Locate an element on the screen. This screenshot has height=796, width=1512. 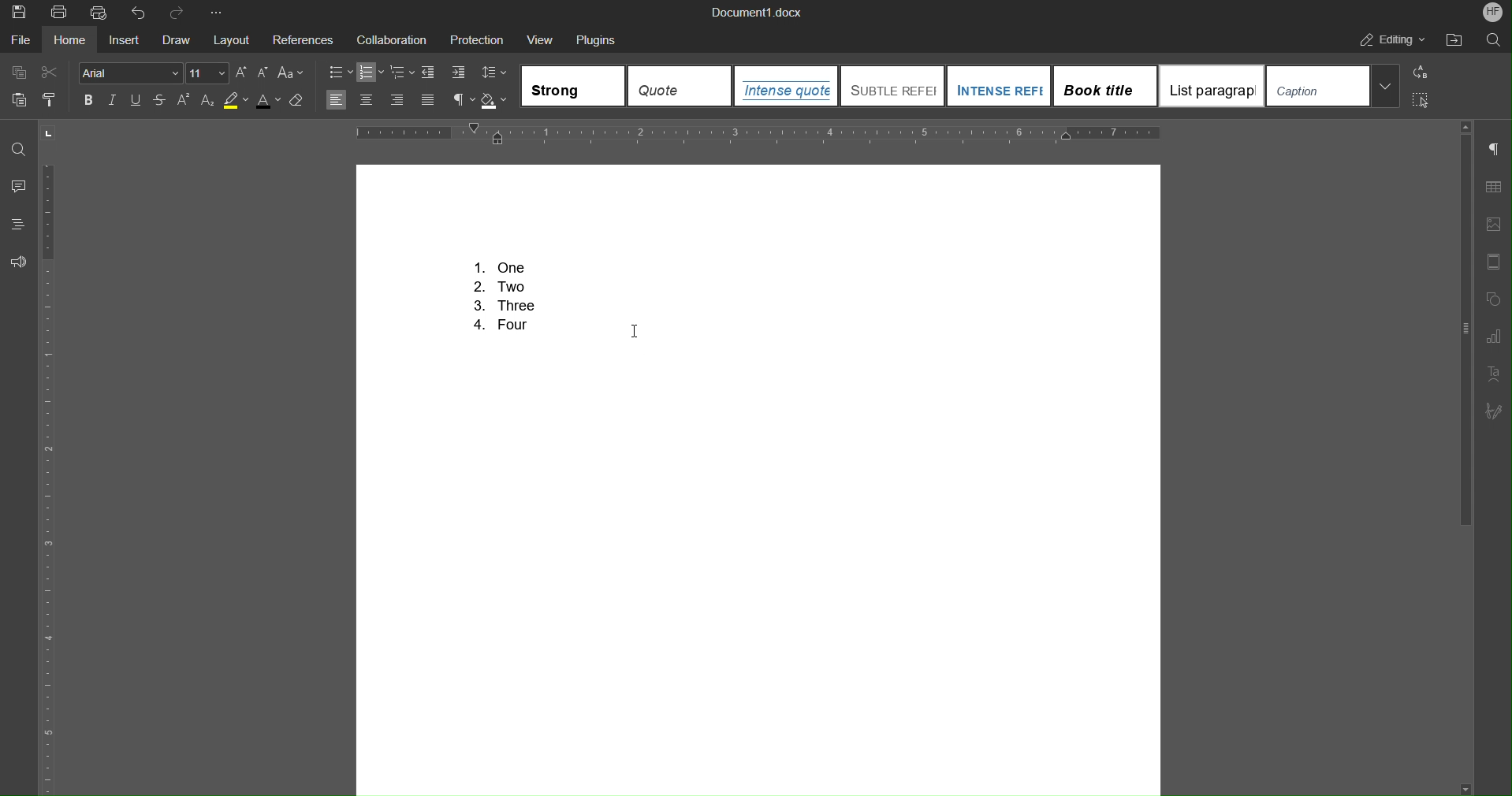
Redo is located at coordinates (177, 11).